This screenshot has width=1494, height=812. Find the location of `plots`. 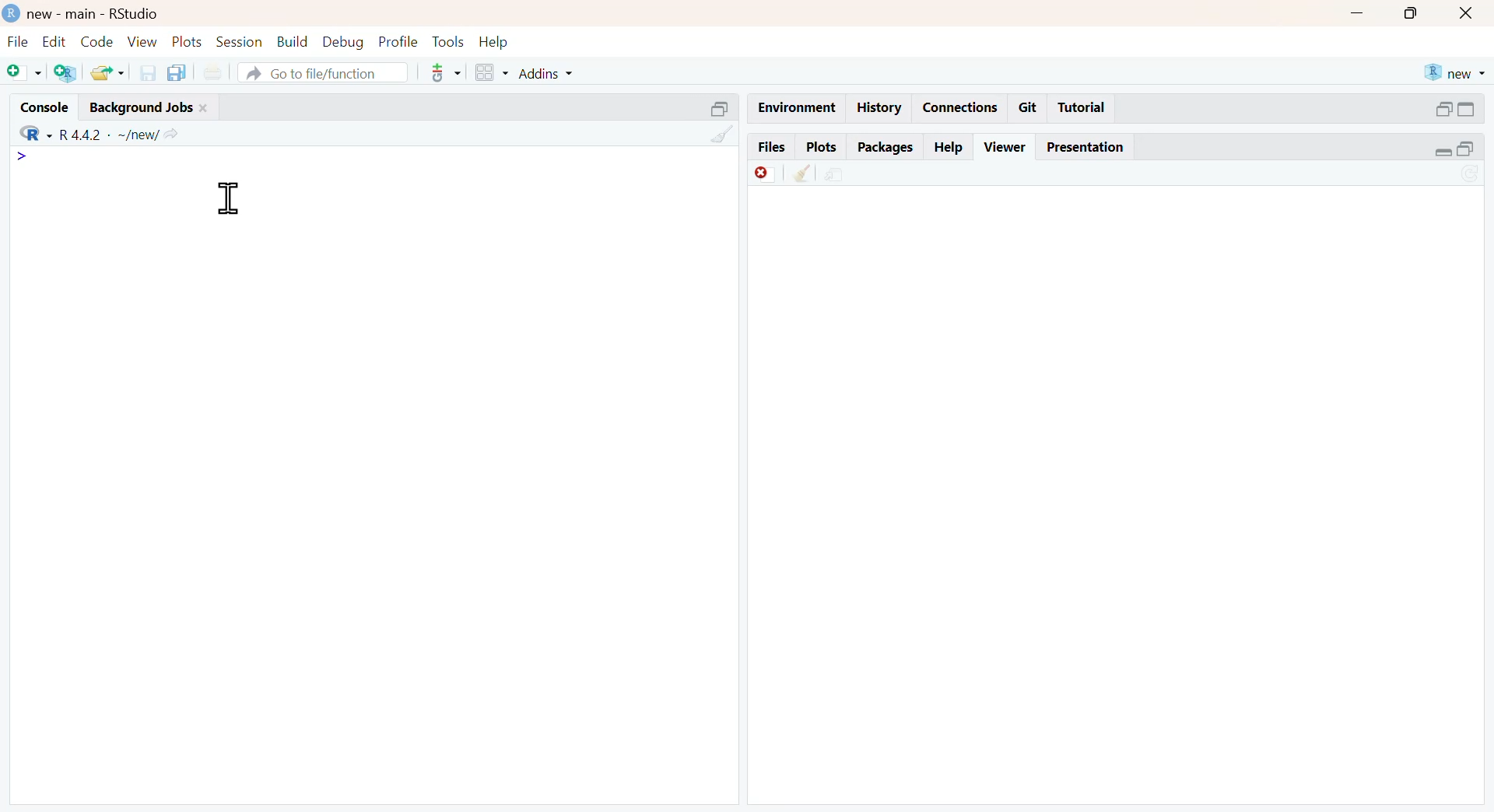

plots is located at coordinates (188, 41).